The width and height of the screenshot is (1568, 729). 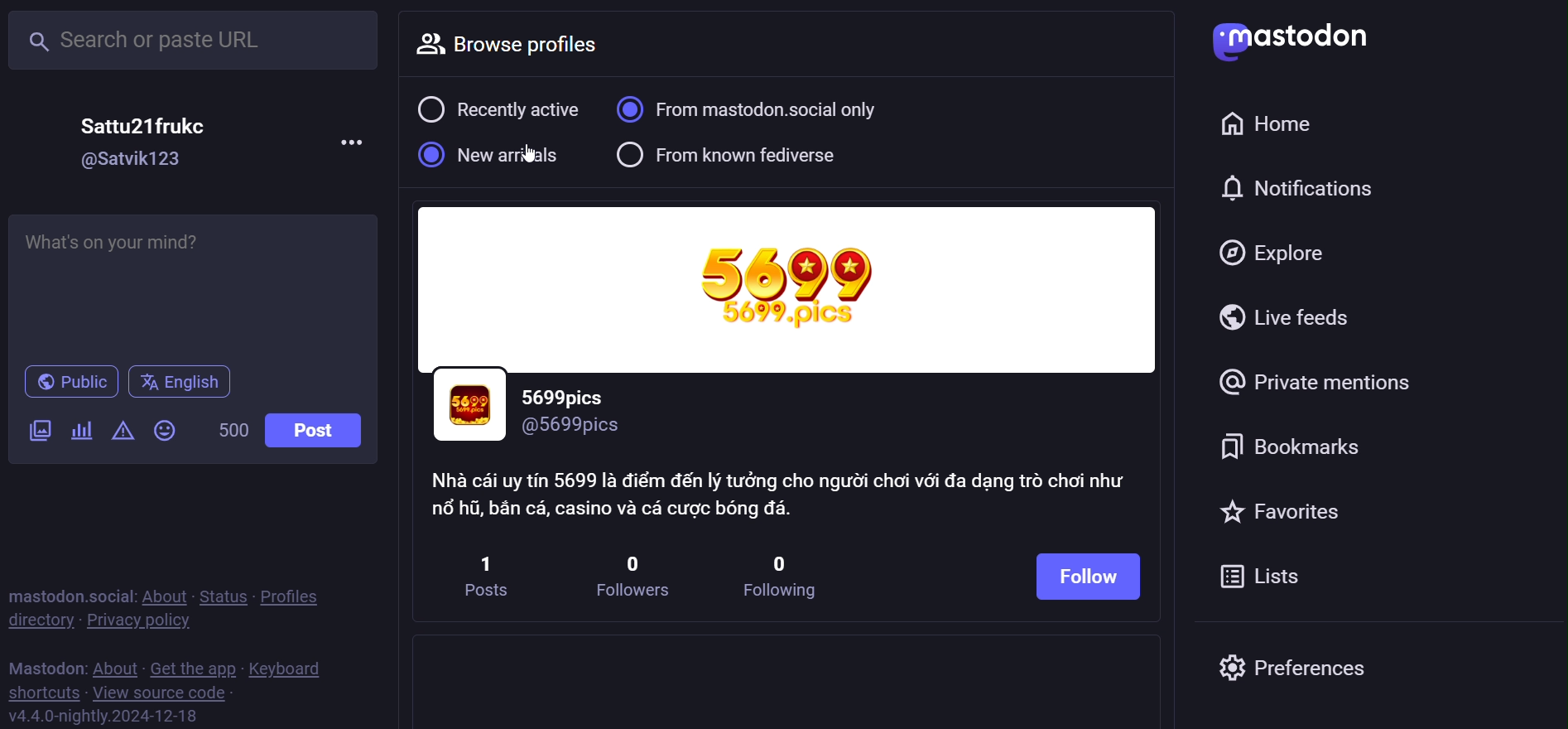 I want to click on explore, so click(x=1281, y=257).